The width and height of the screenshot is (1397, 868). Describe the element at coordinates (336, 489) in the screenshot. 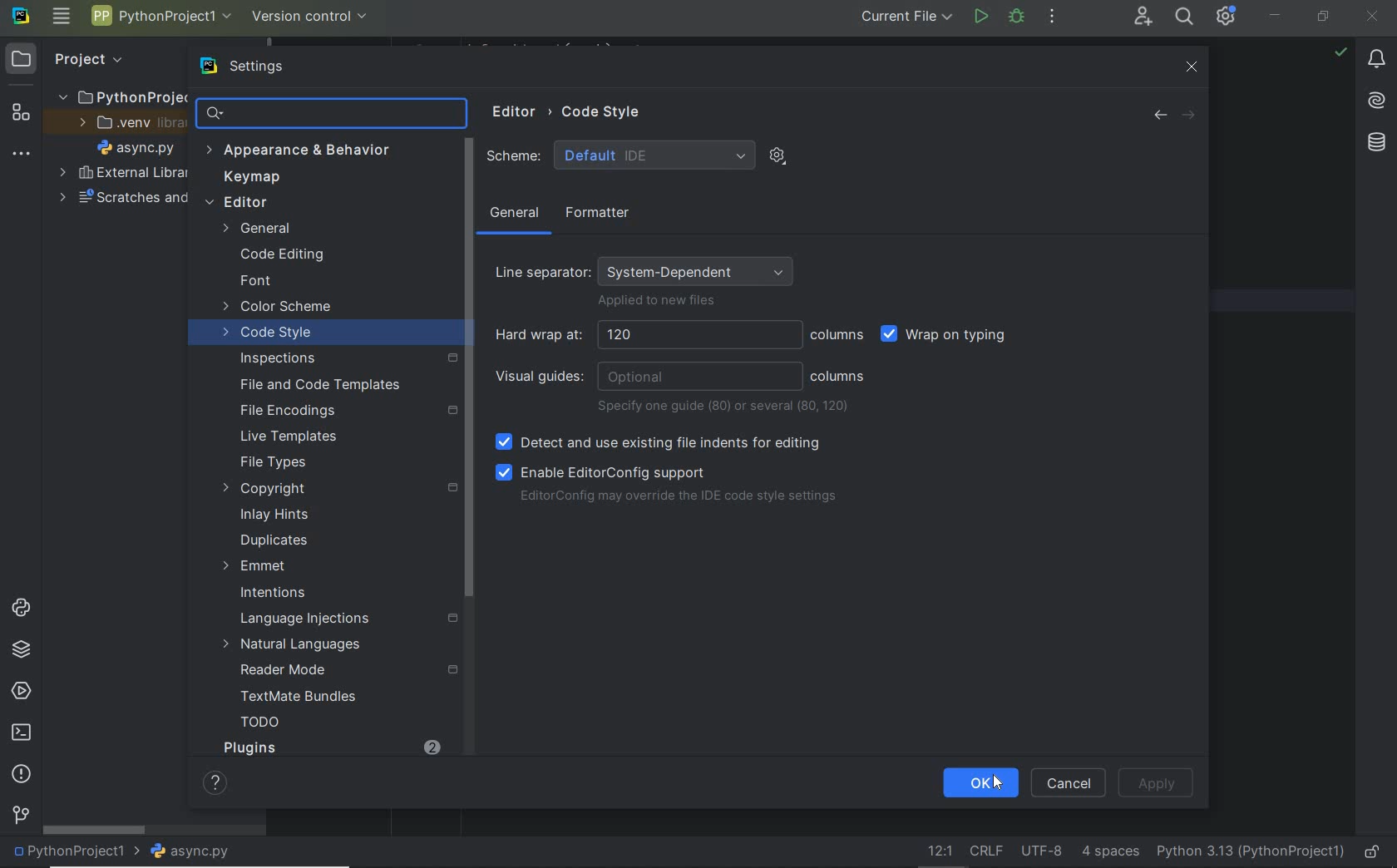

I see `copyright` at that location.